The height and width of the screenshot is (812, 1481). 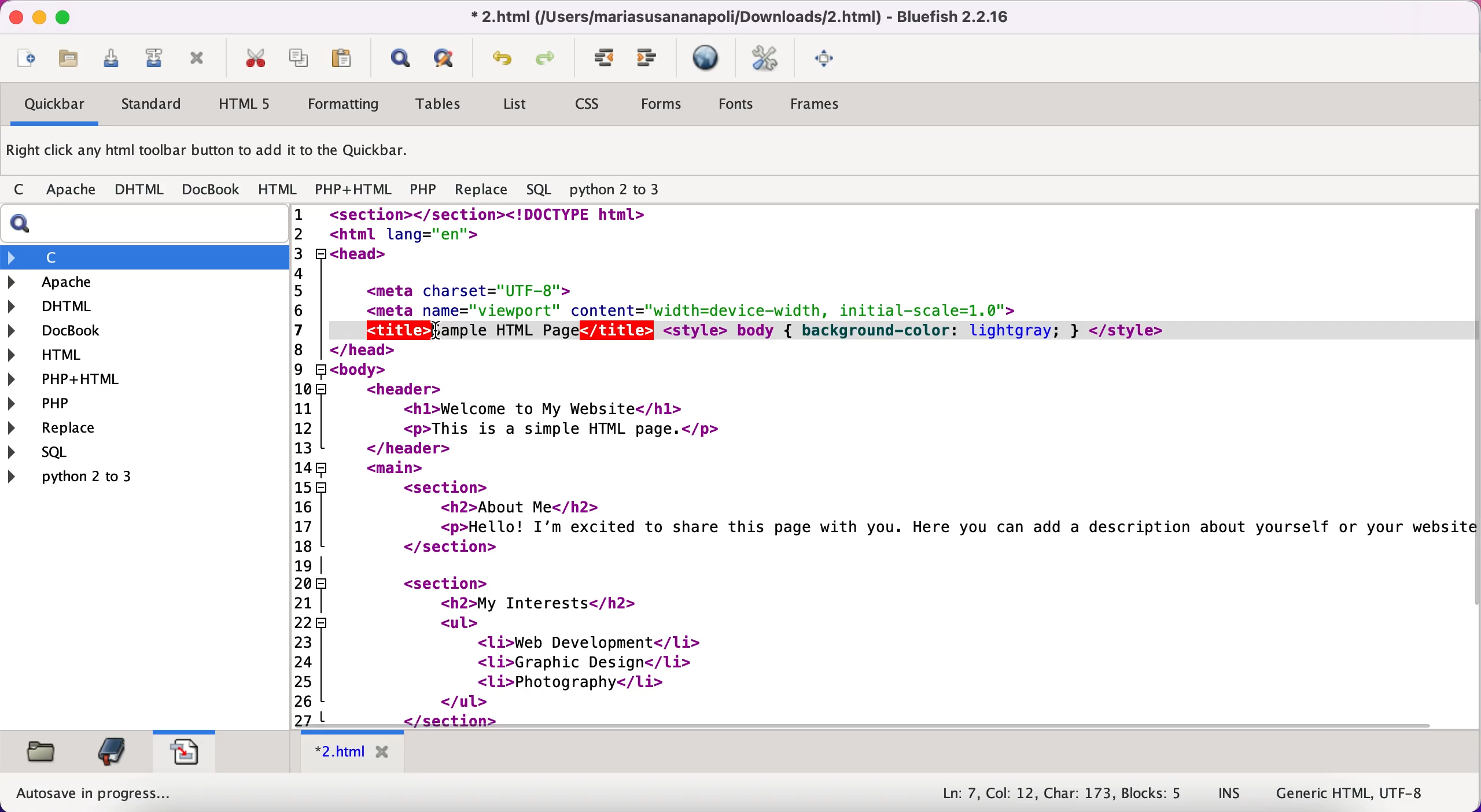 I want to click on indent, so click(x=605, y=58).